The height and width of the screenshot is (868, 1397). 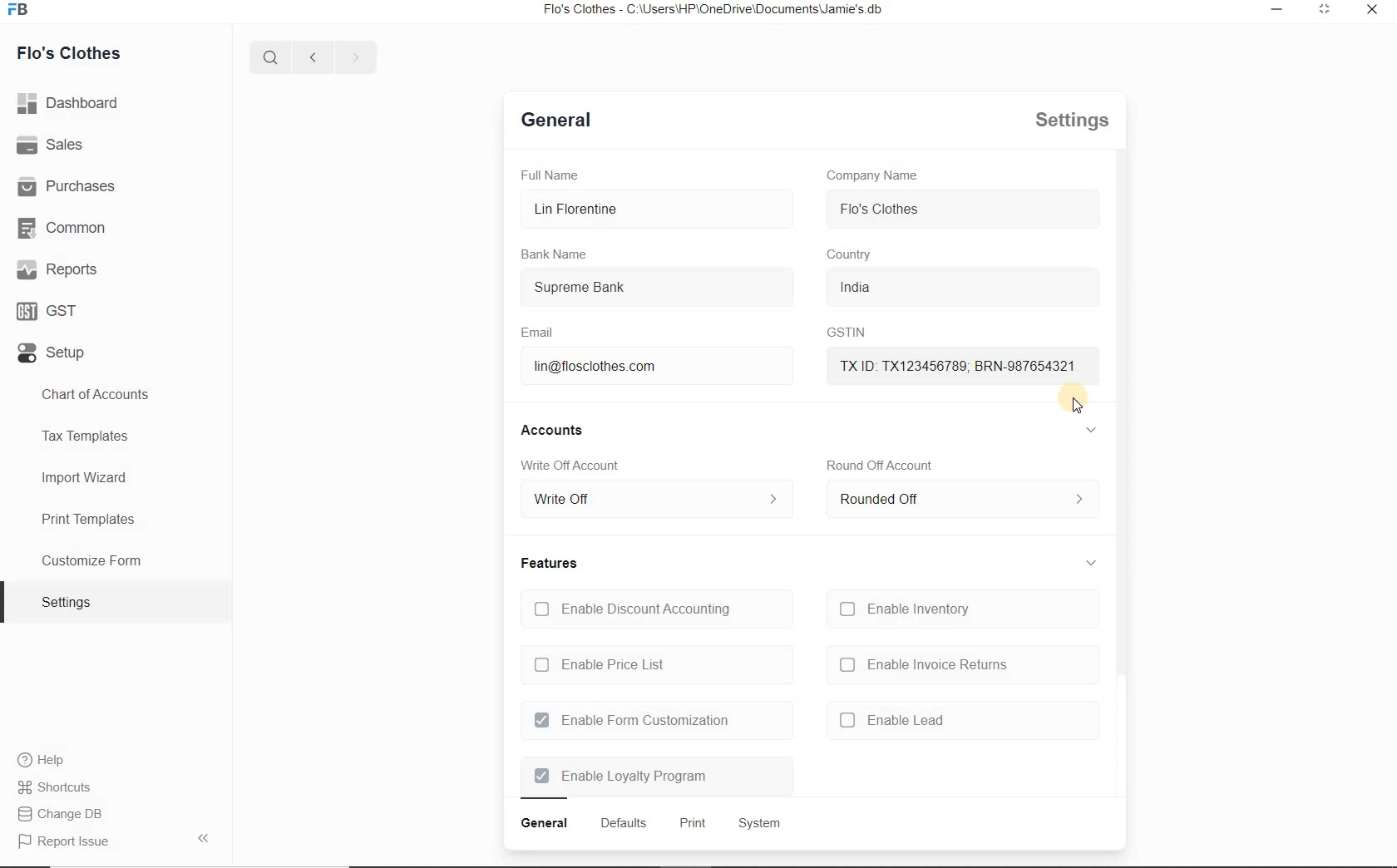 What do you see at coordinates (603, 666) in the screenshot?
I see `Enable Price List` at bounding box center [603, 666].